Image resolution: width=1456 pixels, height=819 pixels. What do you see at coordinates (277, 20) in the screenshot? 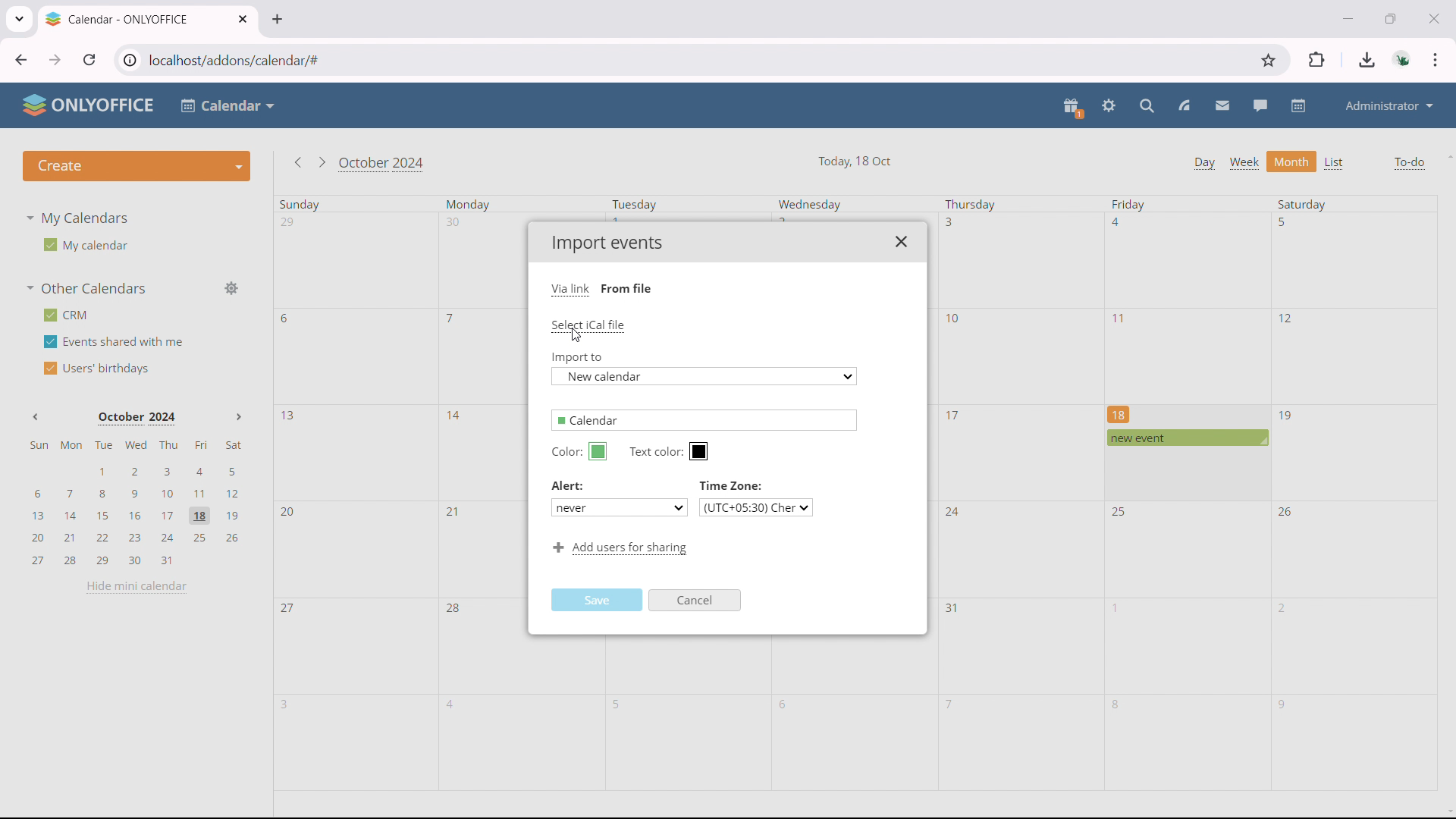
I see `new tab` at bounding box center [277, 20].